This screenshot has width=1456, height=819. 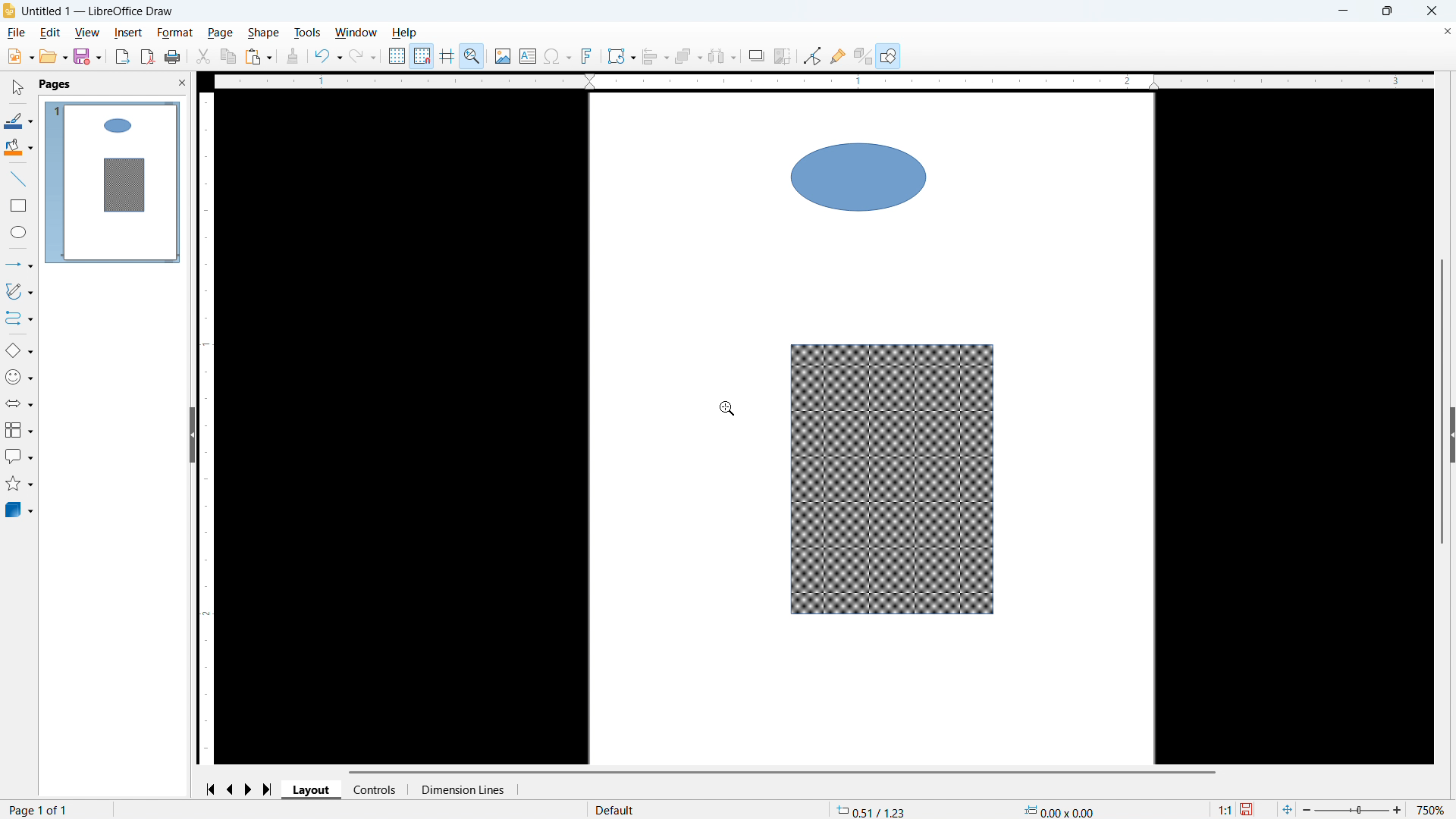 What do you see at coordinates (206, 427) in the screenshot?
I see `Vertical ruler ` at bounding box center [206, 427].